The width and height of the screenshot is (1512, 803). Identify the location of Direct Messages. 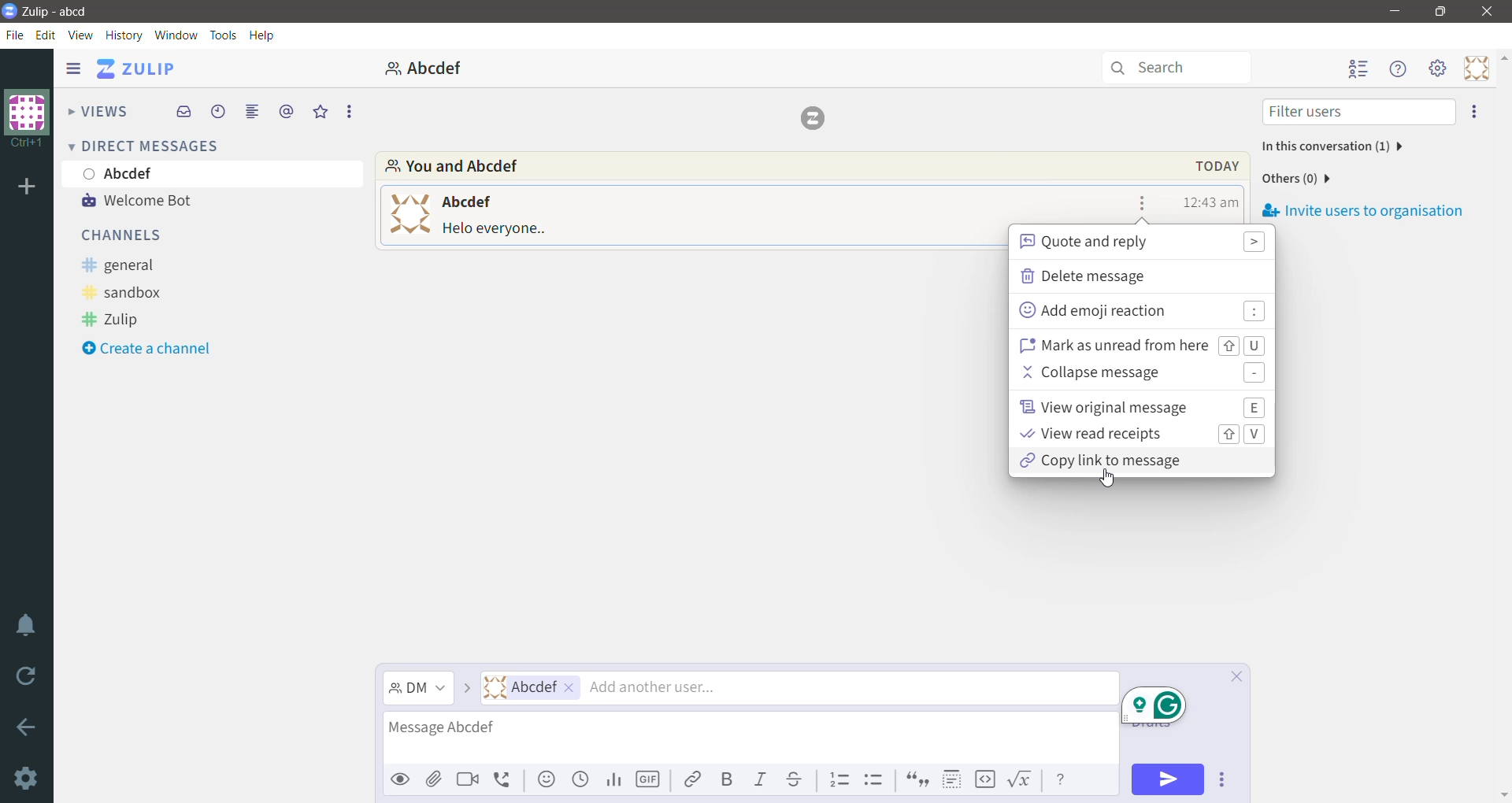
(147, 146).